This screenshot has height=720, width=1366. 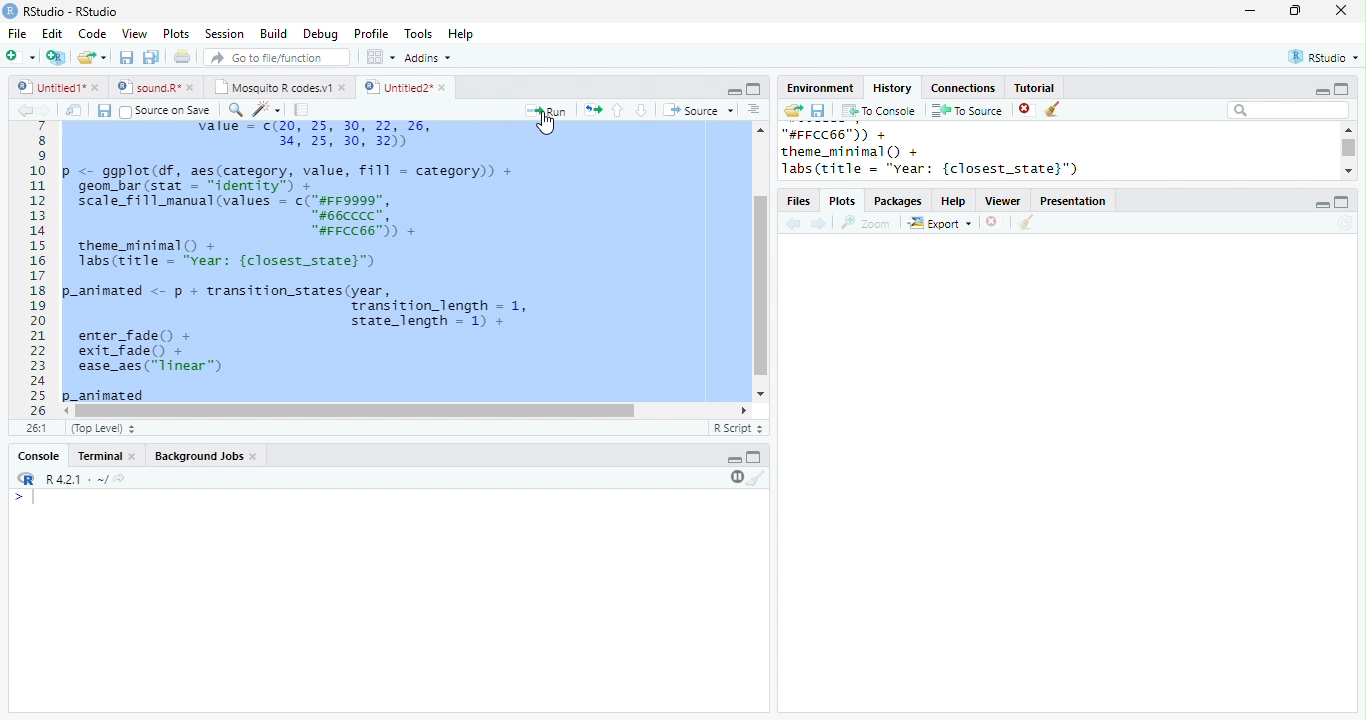 I want to click on resize, so click(x=1295, y=11).